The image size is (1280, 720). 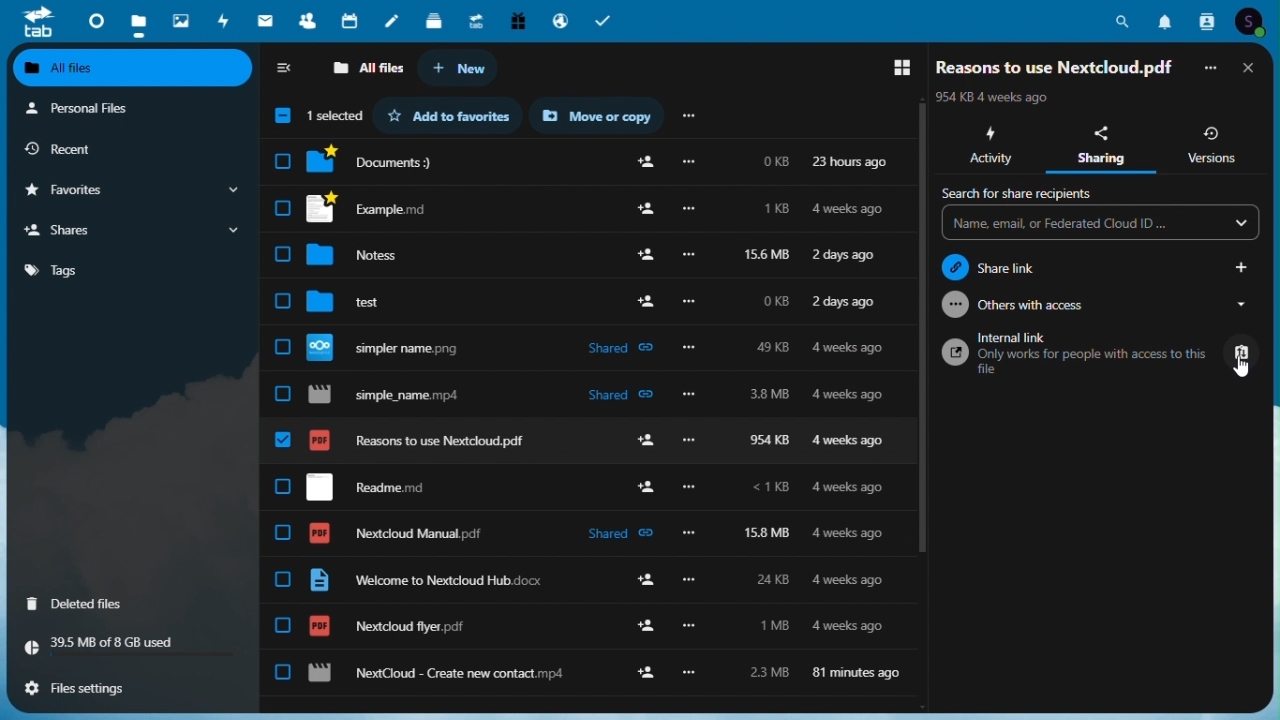 I want to click on 4 weeks ago, so click(x=851, y=349).